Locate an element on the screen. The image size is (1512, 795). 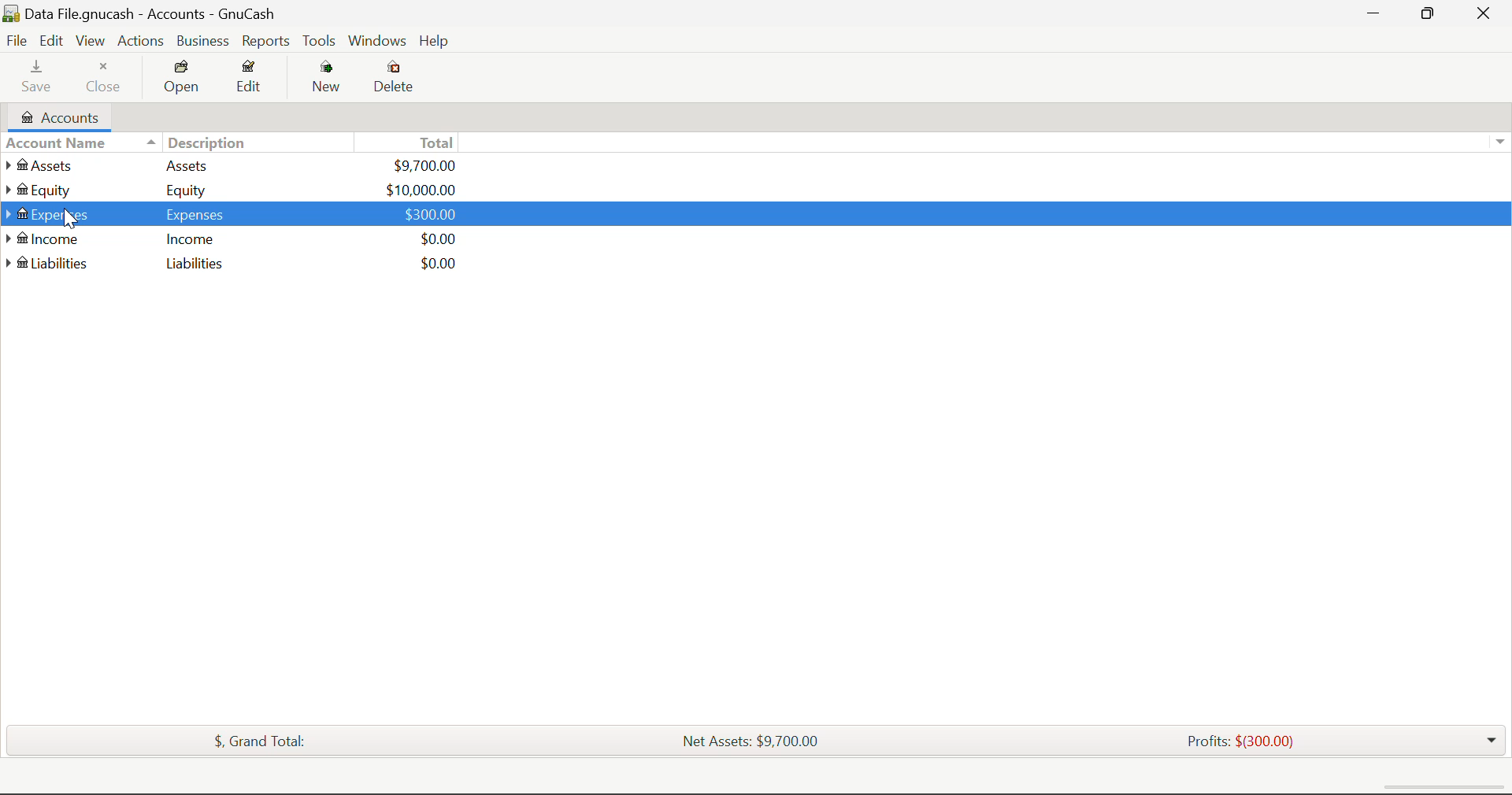
Cursor Position is located at coordinates (69, 219).